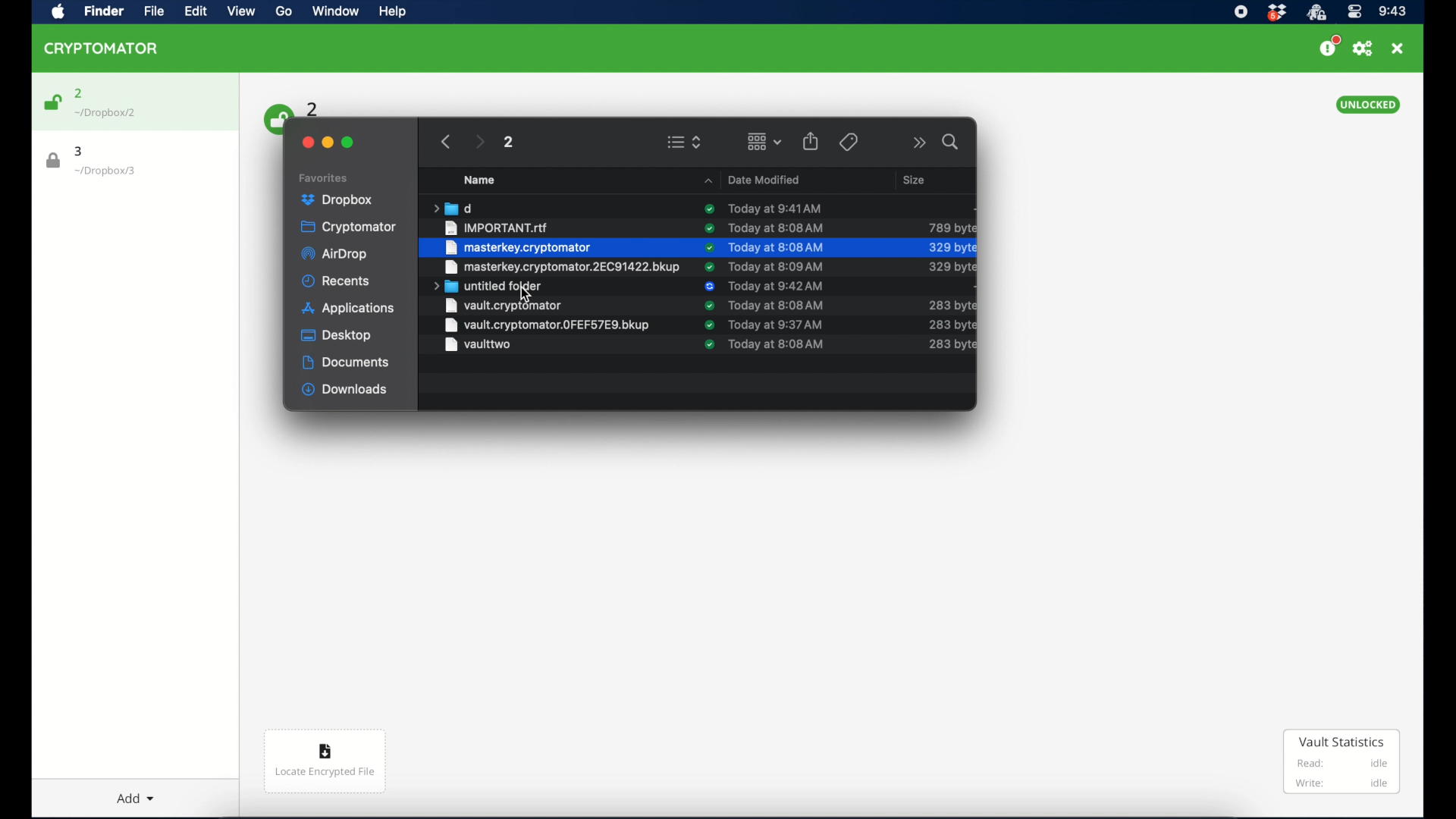  What do you see at coordinates (346, 362) in the screenshot?
I see `documents` at bounding box center [346, 362].